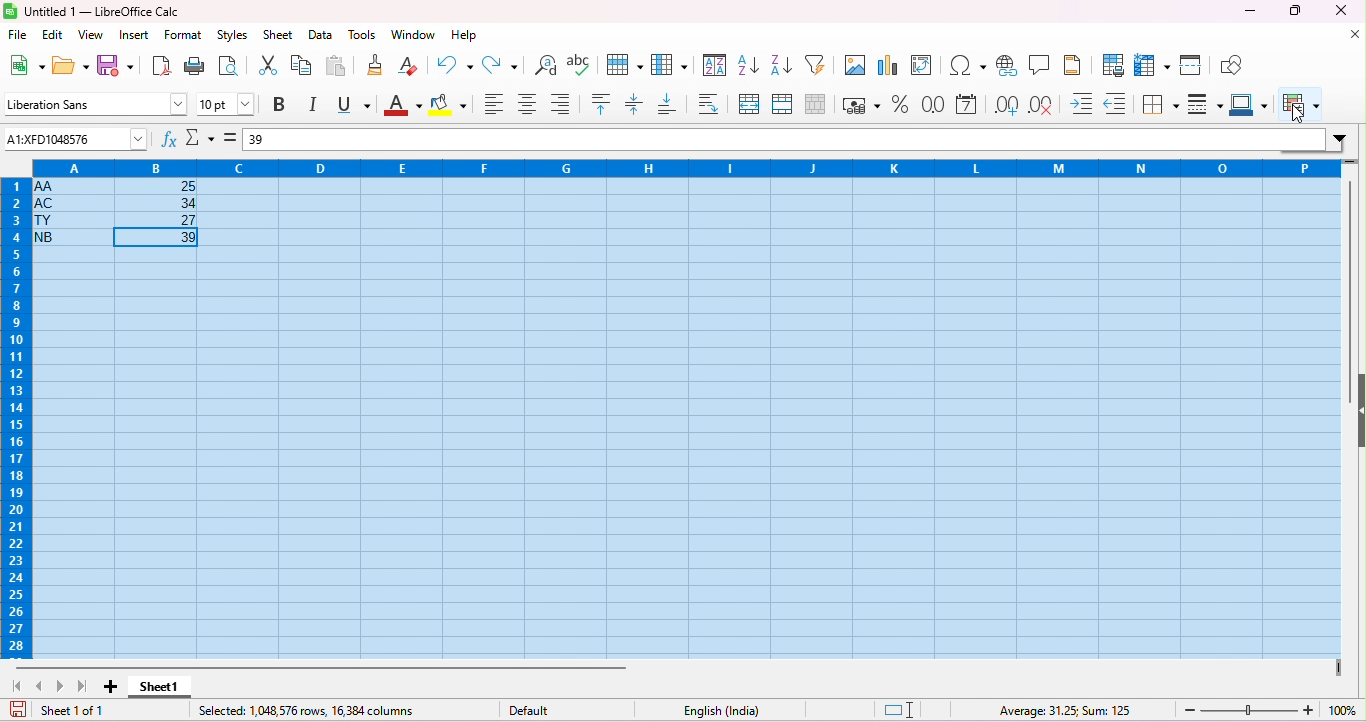  I want to click on increase indent, so click(1083, 103).